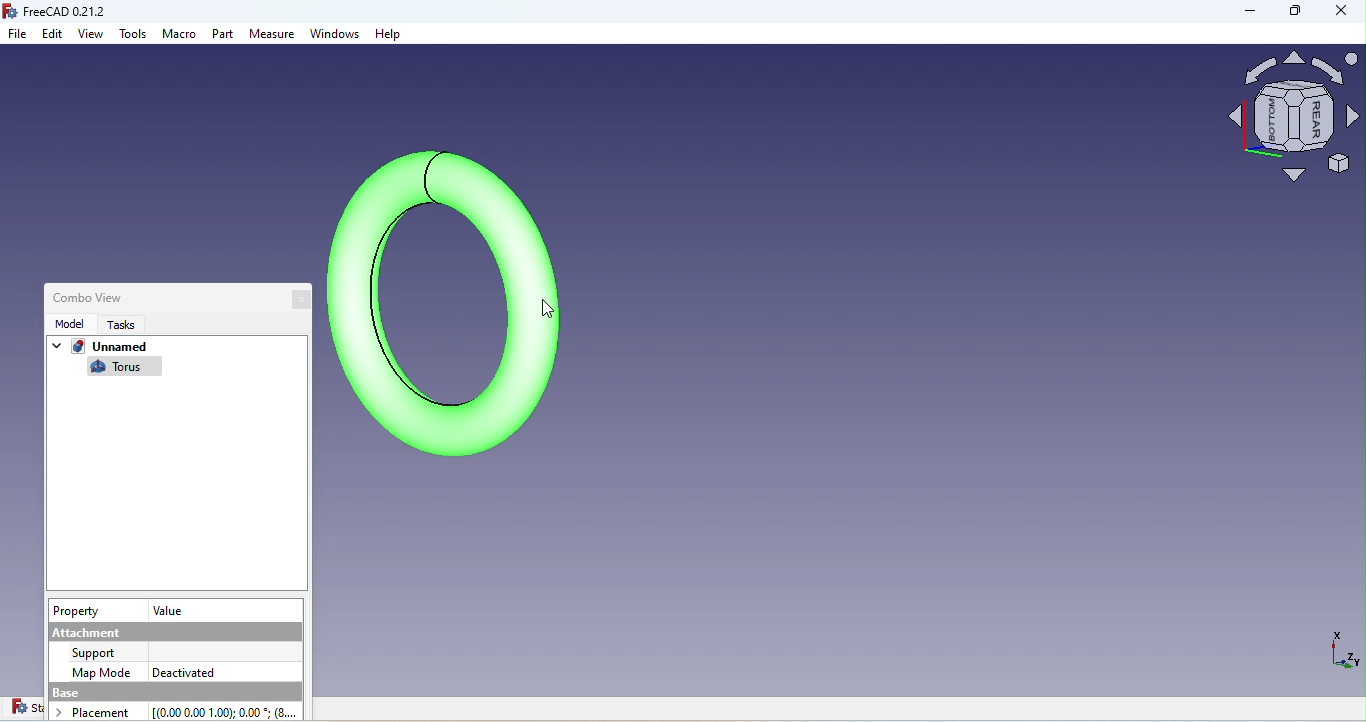 This screenshot has width=1366, height=722. Describe the element at coordinates (183, 670) in the screenshot. I see `Deactivated` at that location.